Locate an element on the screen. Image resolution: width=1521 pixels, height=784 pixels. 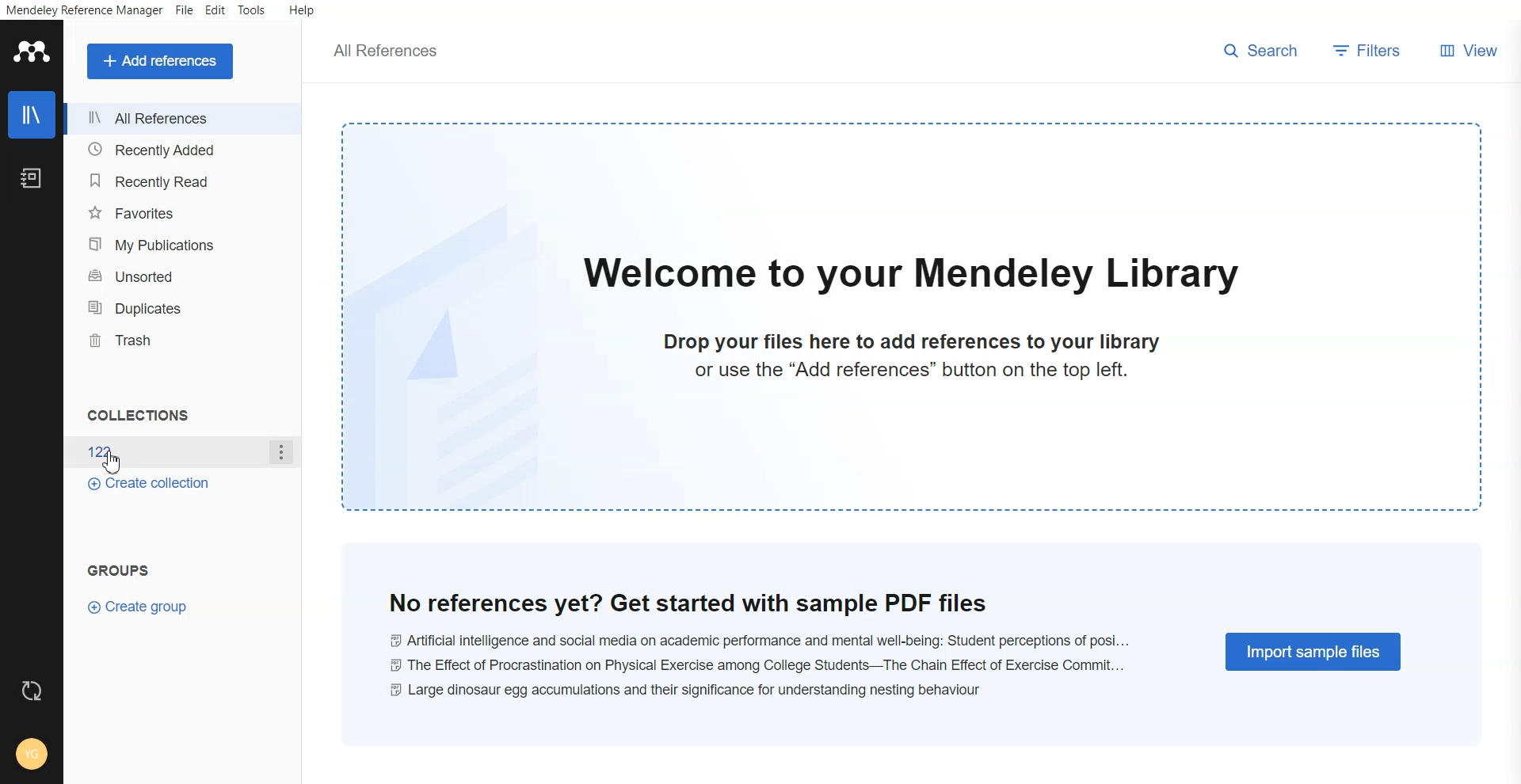
Refresh is located at coordinates (31, 690).